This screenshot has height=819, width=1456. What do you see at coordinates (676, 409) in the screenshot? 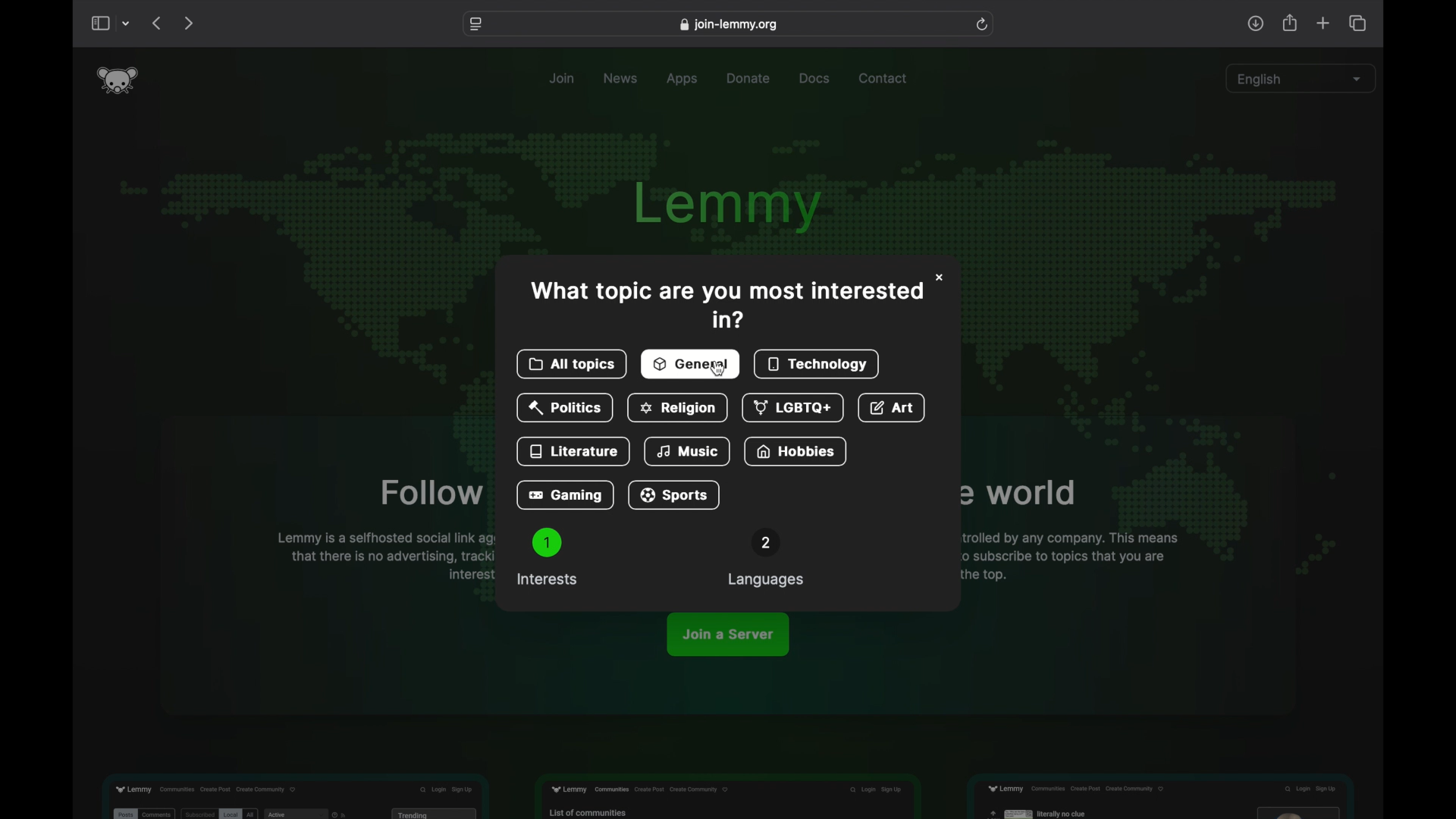
I see `religion` at bounding box center [676, 409].